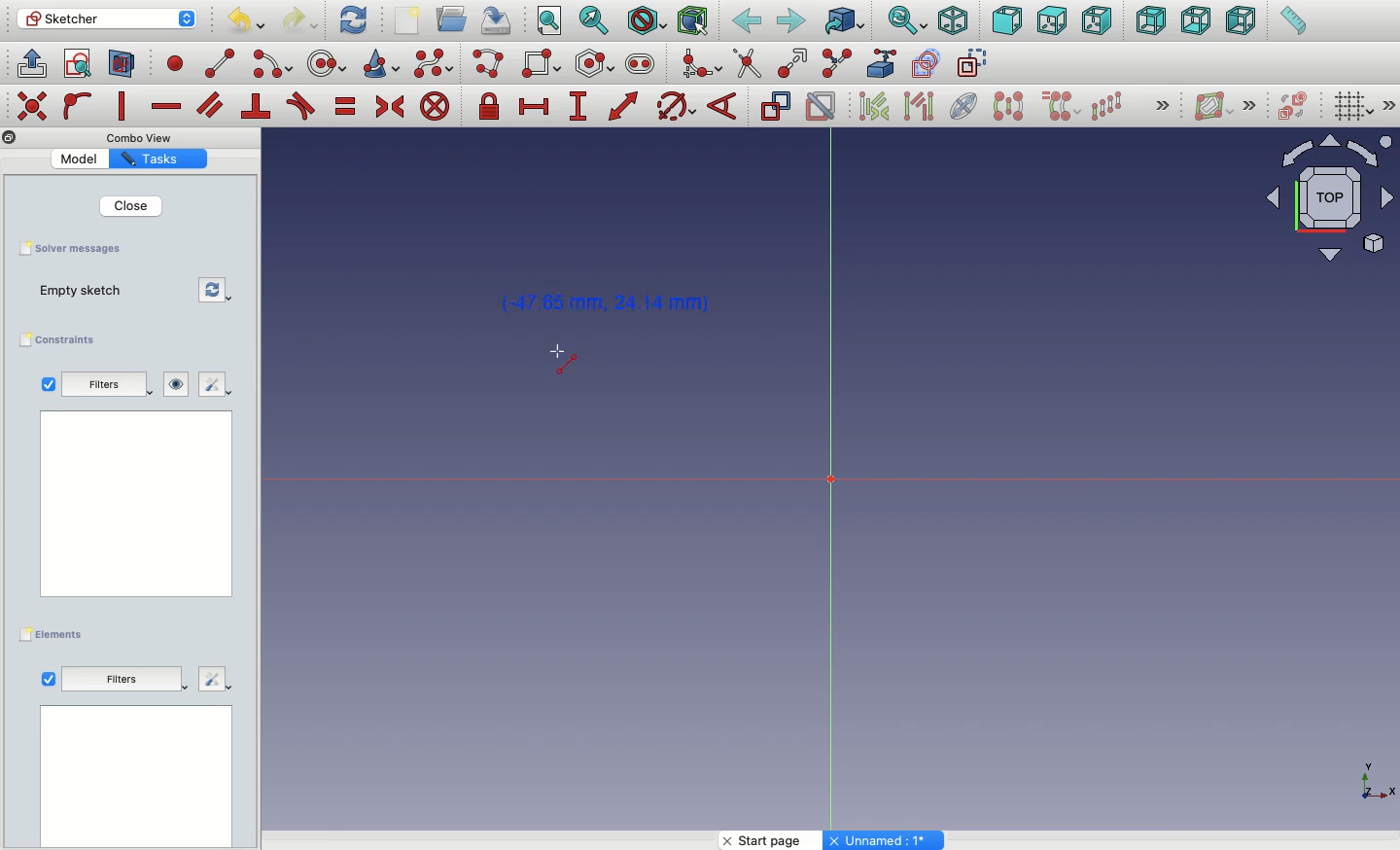 This screenshot has height=850, width=1400. Describe the element at coordinates (382, 63) in the screenshot. I see `Conci` at that location.